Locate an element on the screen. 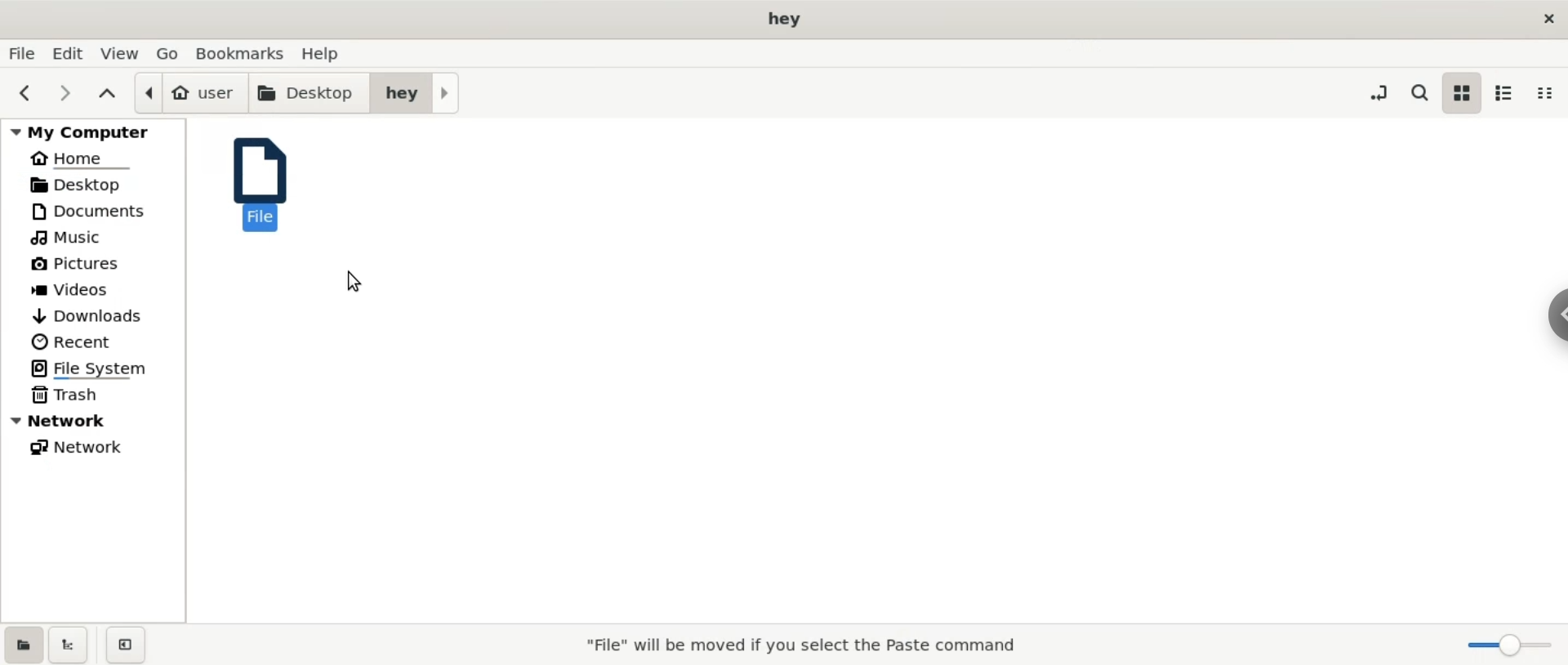 The image size is (1568, 665). videos is located at coordinates (98, 287).